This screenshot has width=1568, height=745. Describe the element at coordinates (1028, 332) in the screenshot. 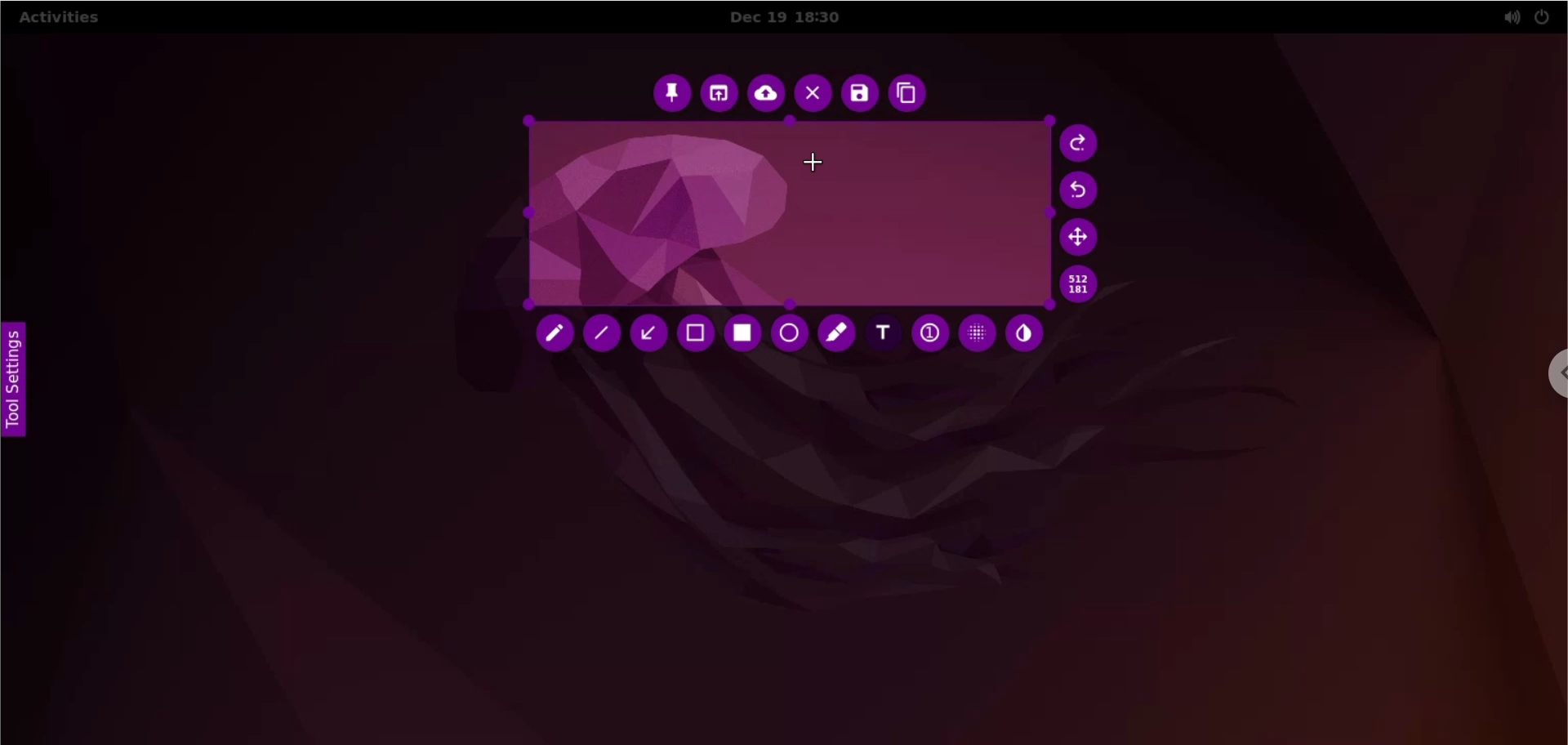

I see `inverter tool` at that location.